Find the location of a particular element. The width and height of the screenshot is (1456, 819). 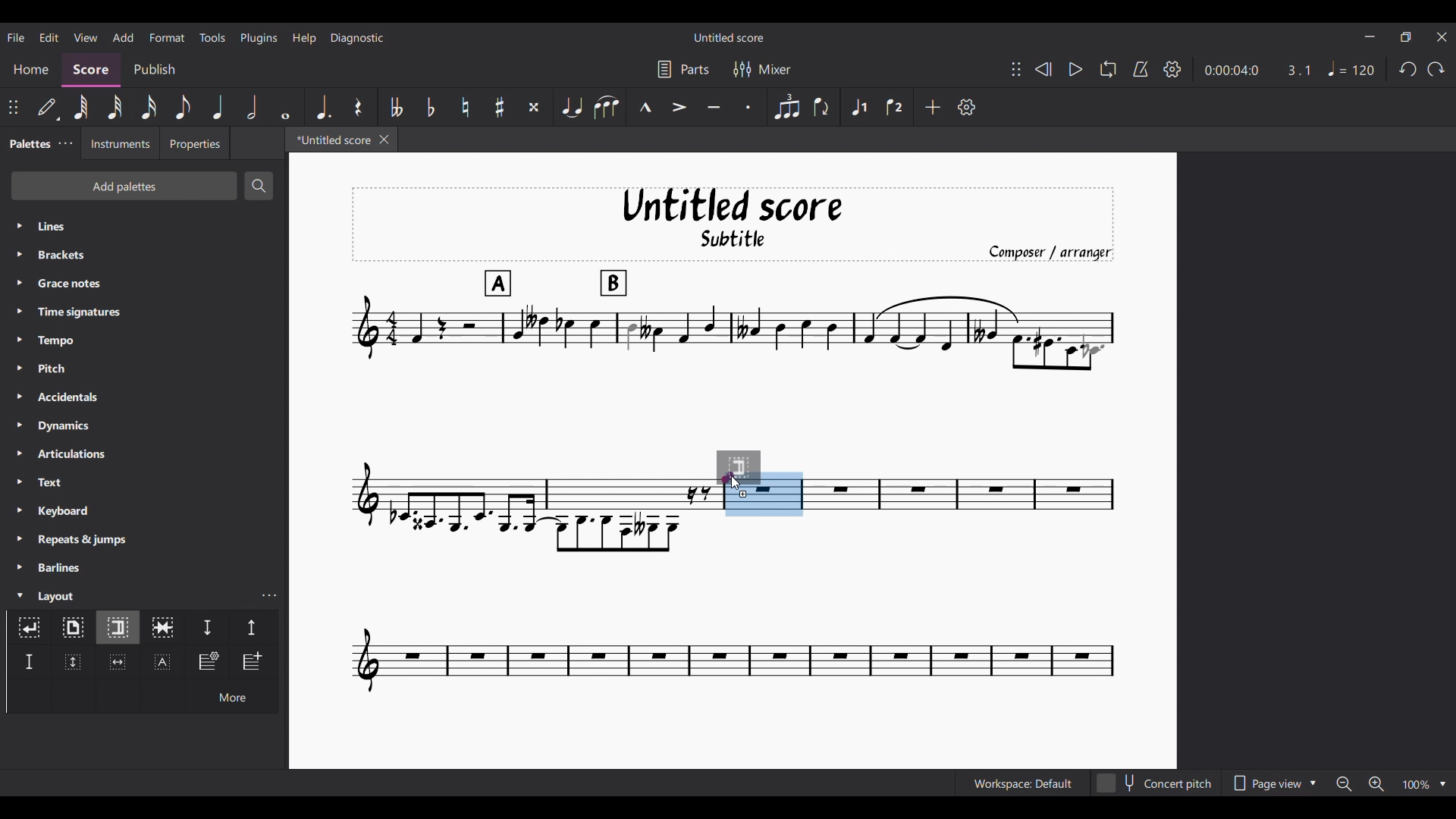

Voice 2 is located at coordinates (895, 107).